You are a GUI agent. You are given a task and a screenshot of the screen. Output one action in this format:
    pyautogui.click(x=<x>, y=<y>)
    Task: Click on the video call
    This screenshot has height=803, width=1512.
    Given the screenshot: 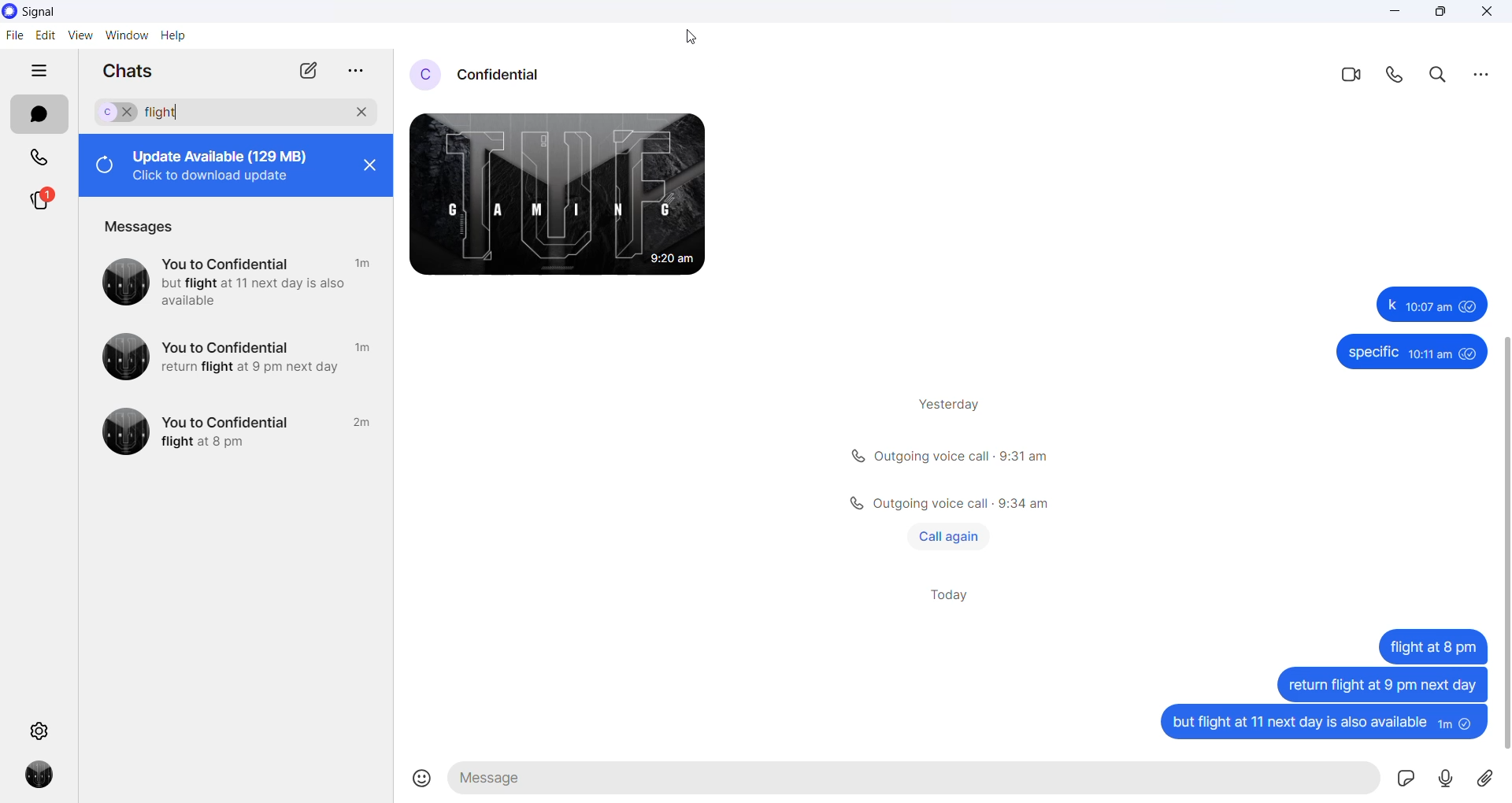 What is the action you would take?
    pyautogui.click(x=1355, y=73)
    